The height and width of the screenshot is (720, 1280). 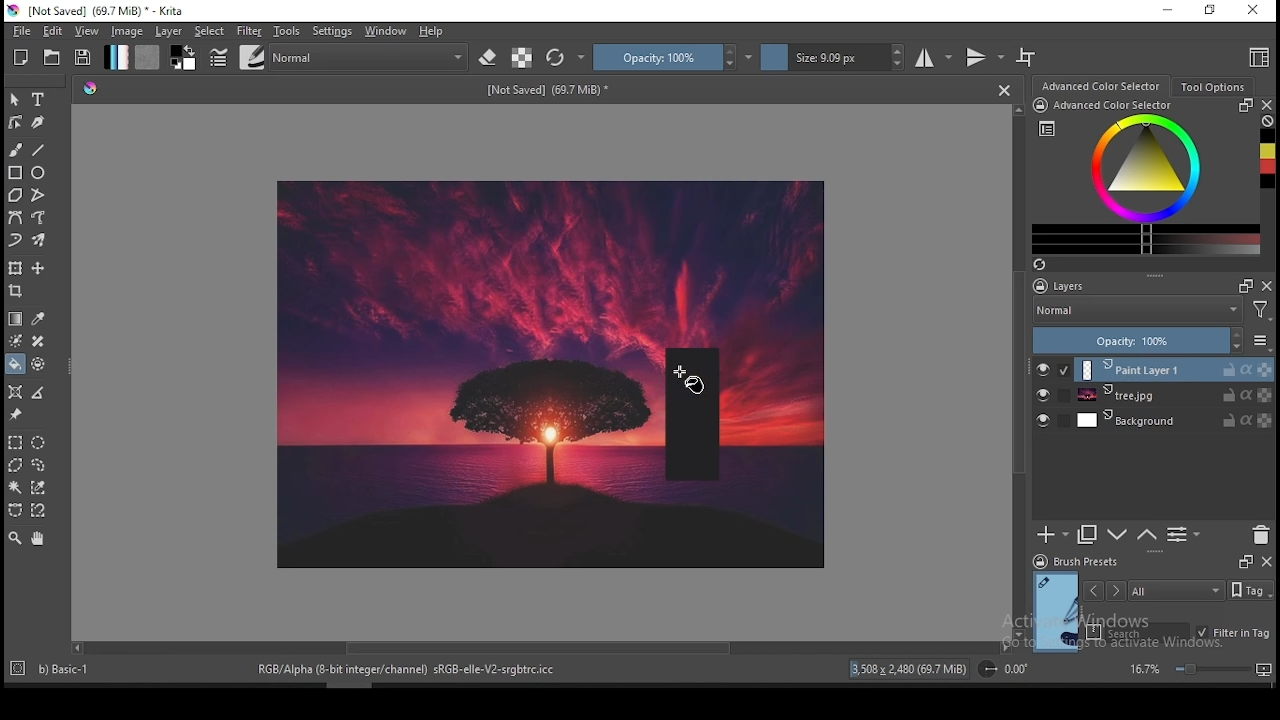 What do you see at coordinates (40, 511) in the screenshot?
I see `magnetic curve selection tool` at bounding box center [40, 511].